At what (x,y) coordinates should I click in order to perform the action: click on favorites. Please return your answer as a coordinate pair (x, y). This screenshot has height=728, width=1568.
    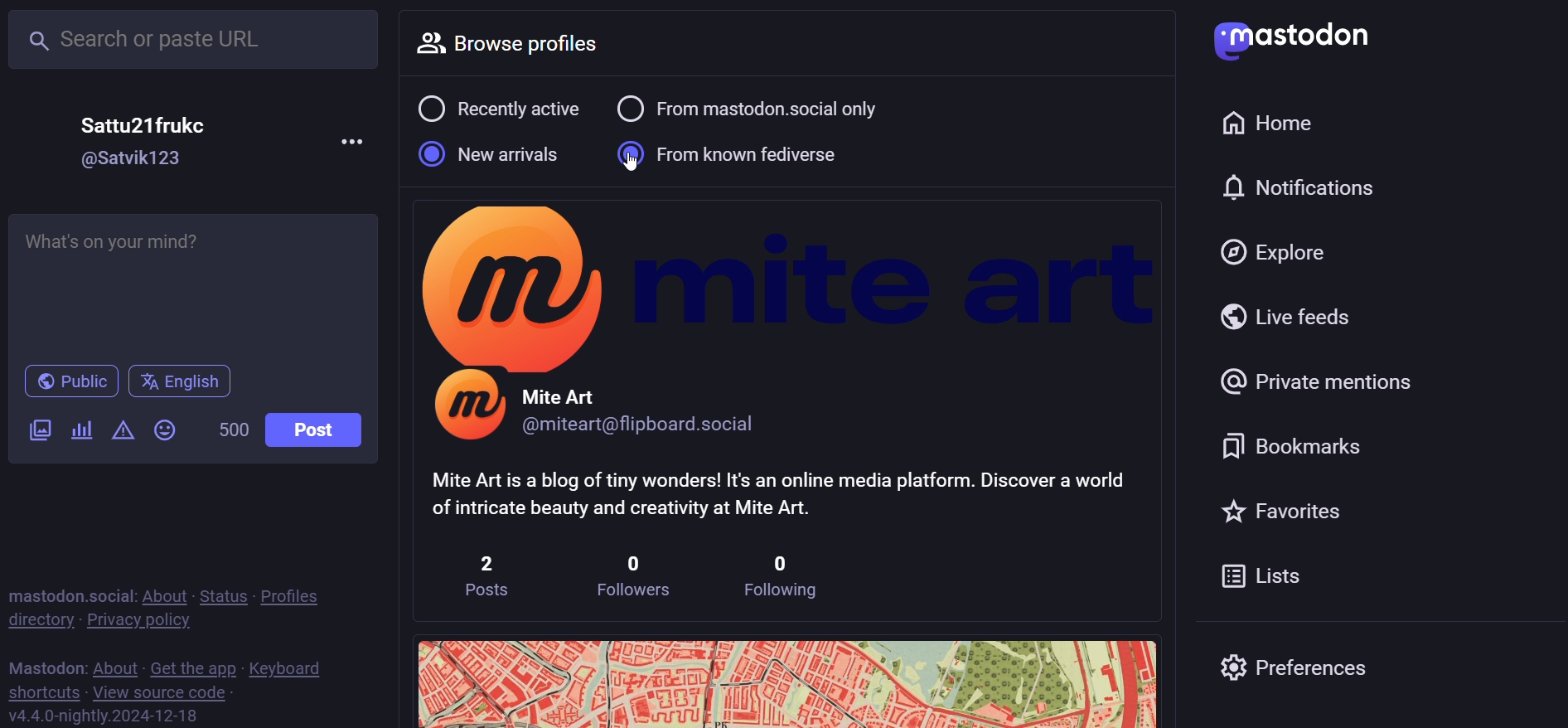
    Looking at the image, I should click on (1299, 507).